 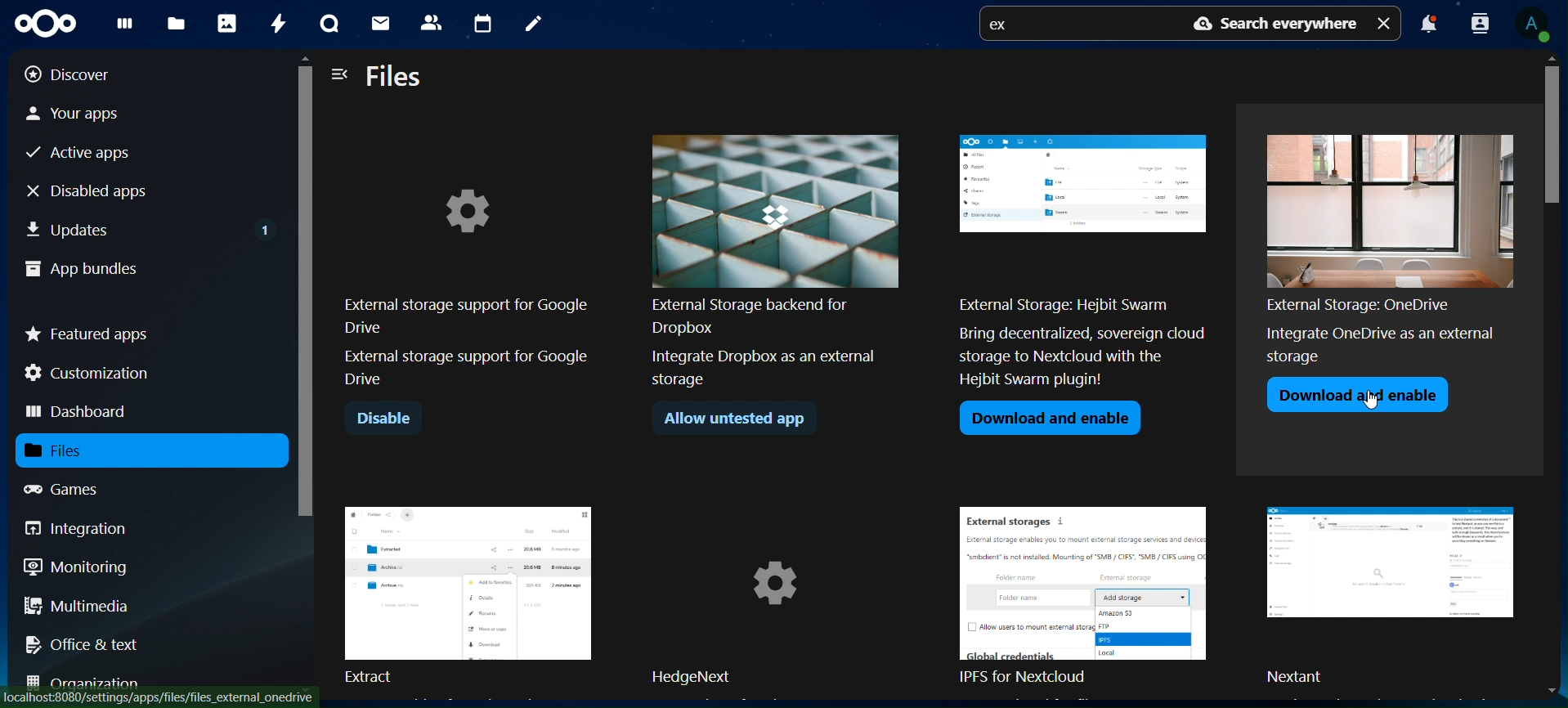 I want to click on organization, so click(x=90, y=681).